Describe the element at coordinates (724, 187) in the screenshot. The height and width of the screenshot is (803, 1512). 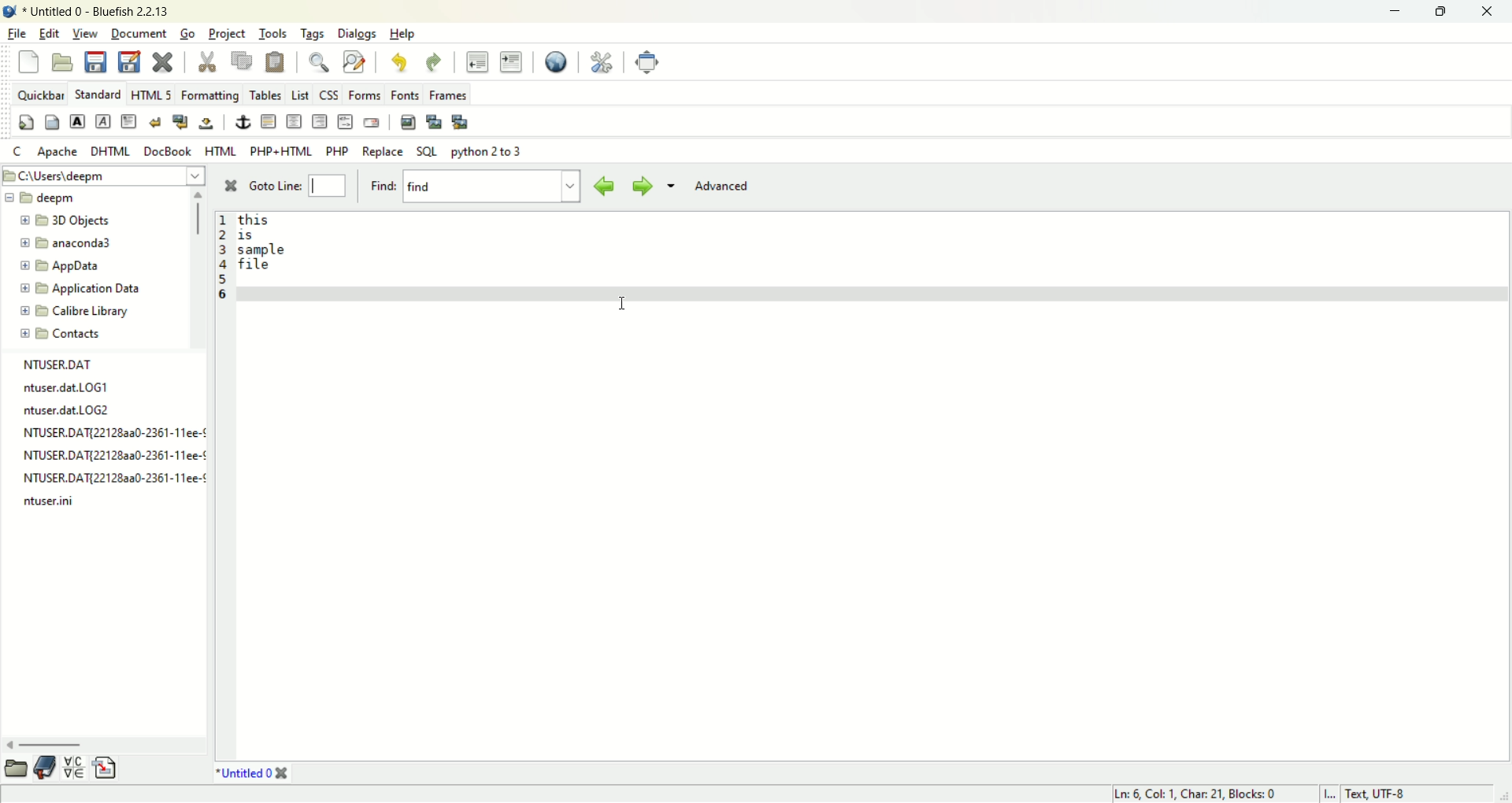
I see `advanced` at that location.